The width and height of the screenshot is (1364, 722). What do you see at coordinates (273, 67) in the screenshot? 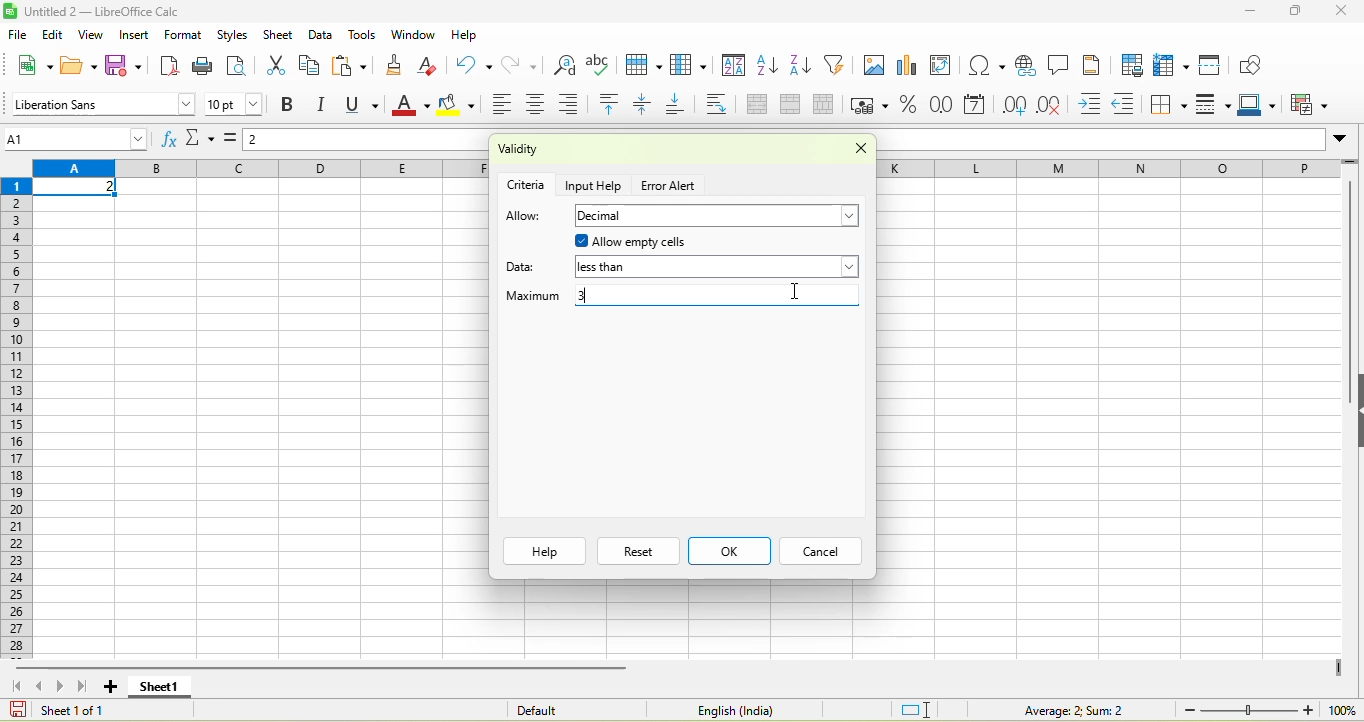
I see `cut` at bounding box center [273, 67].